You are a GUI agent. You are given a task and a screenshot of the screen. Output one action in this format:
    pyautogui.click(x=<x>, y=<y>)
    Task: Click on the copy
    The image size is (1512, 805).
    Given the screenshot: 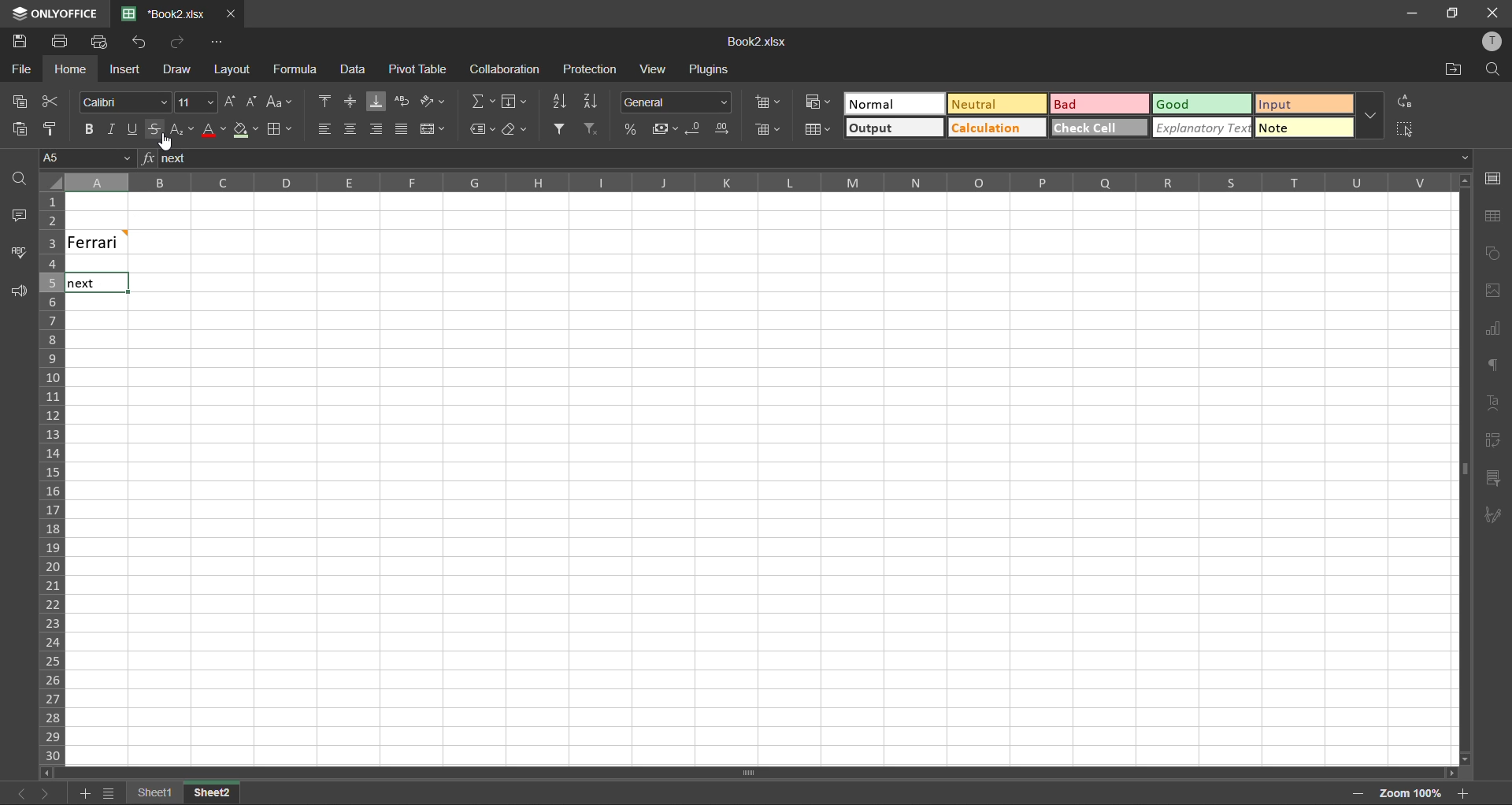 What is the action you would take?
    pyautogui.click(x=18, y=102)
    